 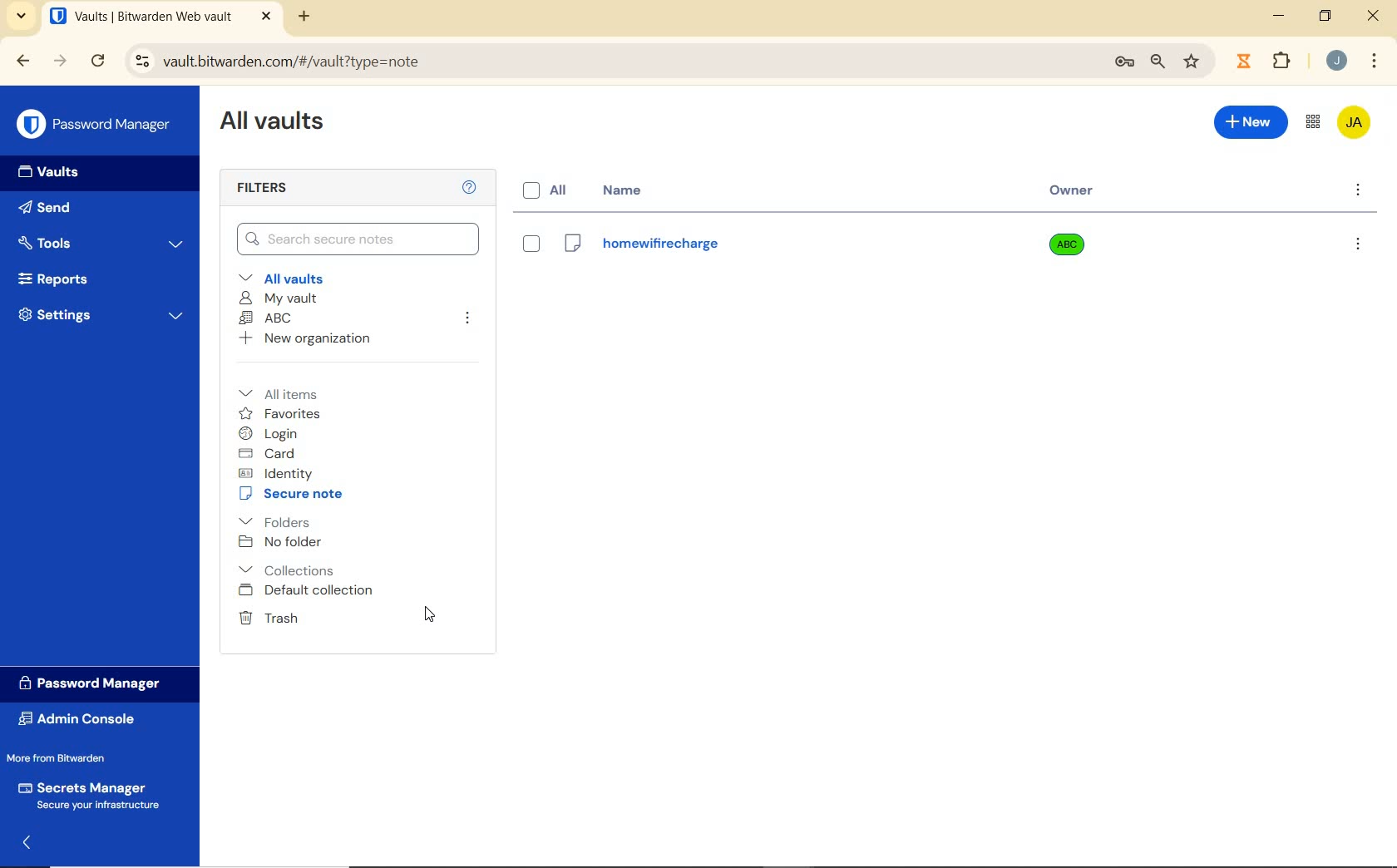 I want to click on customize Google chrome, so click(x=1375, y=60).